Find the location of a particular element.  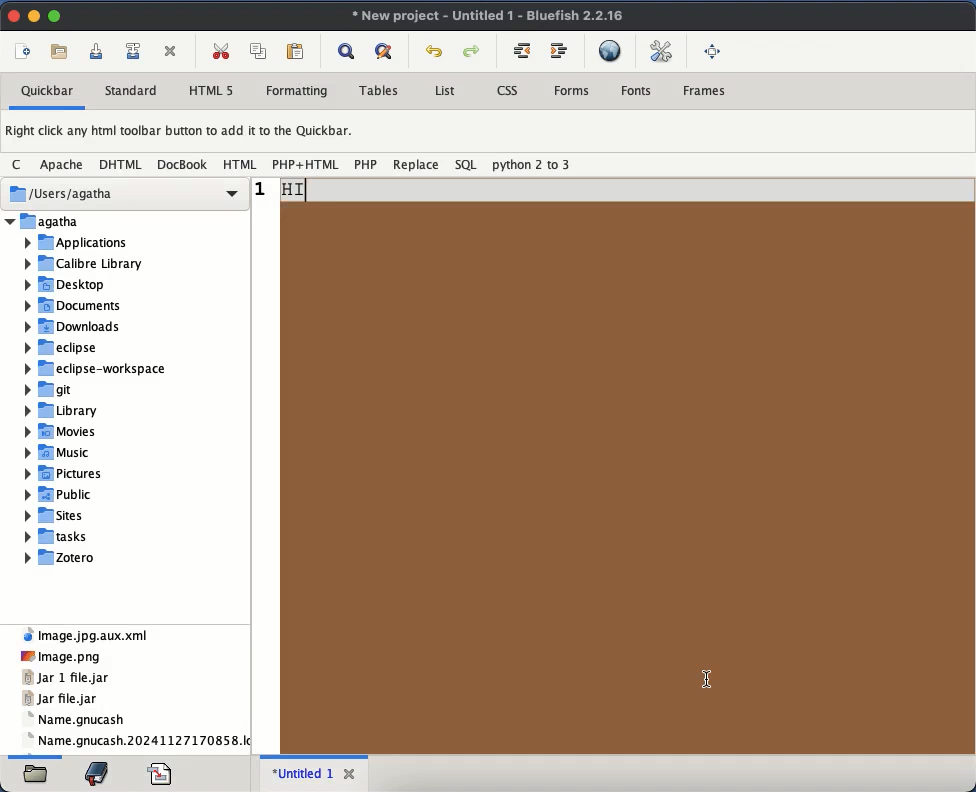

Downloads is located at coordinates (72, 326).